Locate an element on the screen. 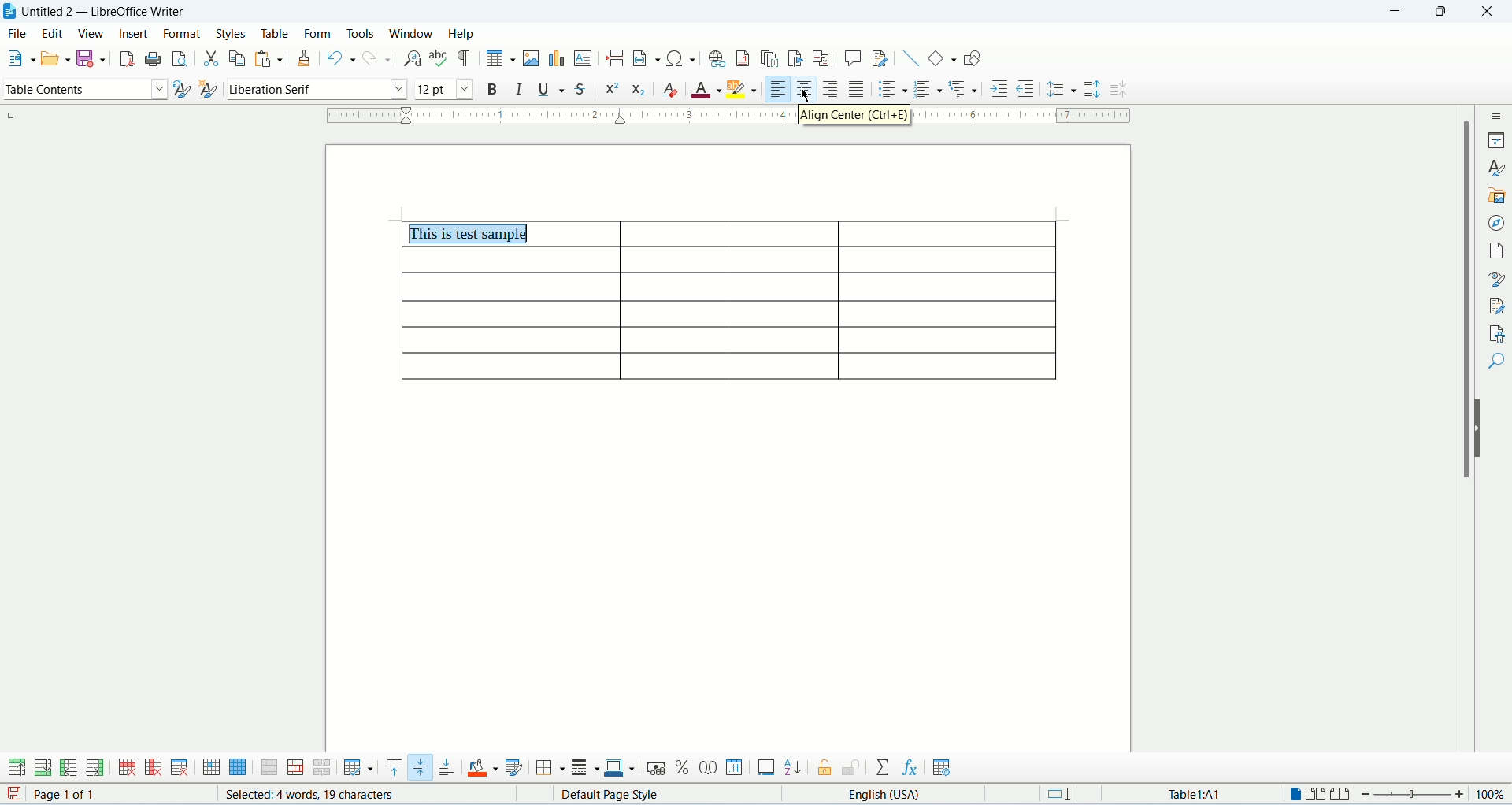 Image resolution: width=1512 pixels, height=805 pixels. insert rows above is located at coordinates (15, 768).